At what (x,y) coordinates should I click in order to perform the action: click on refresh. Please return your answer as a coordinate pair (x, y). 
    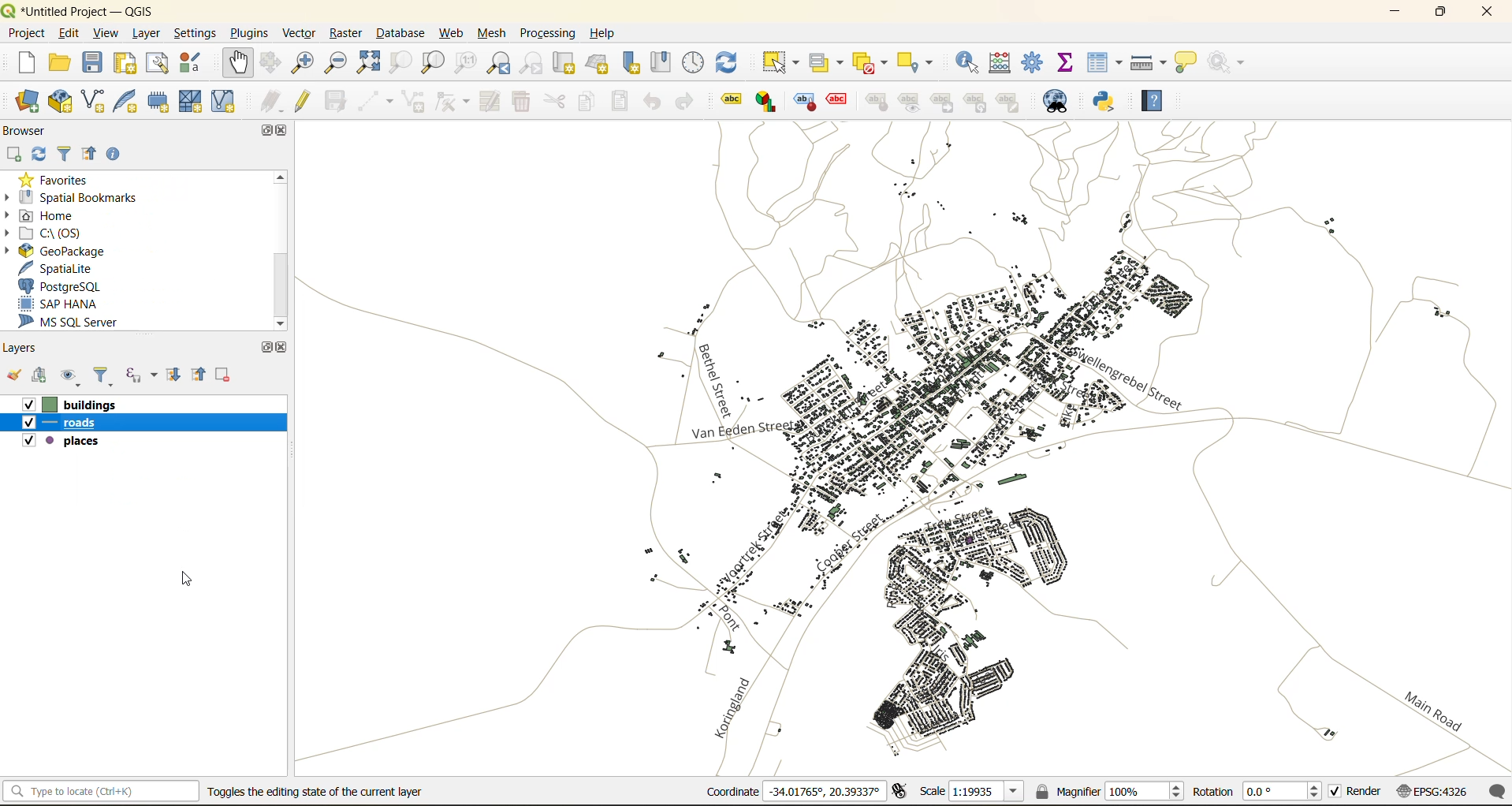
    Looking at the image, I should click on (732, 62).